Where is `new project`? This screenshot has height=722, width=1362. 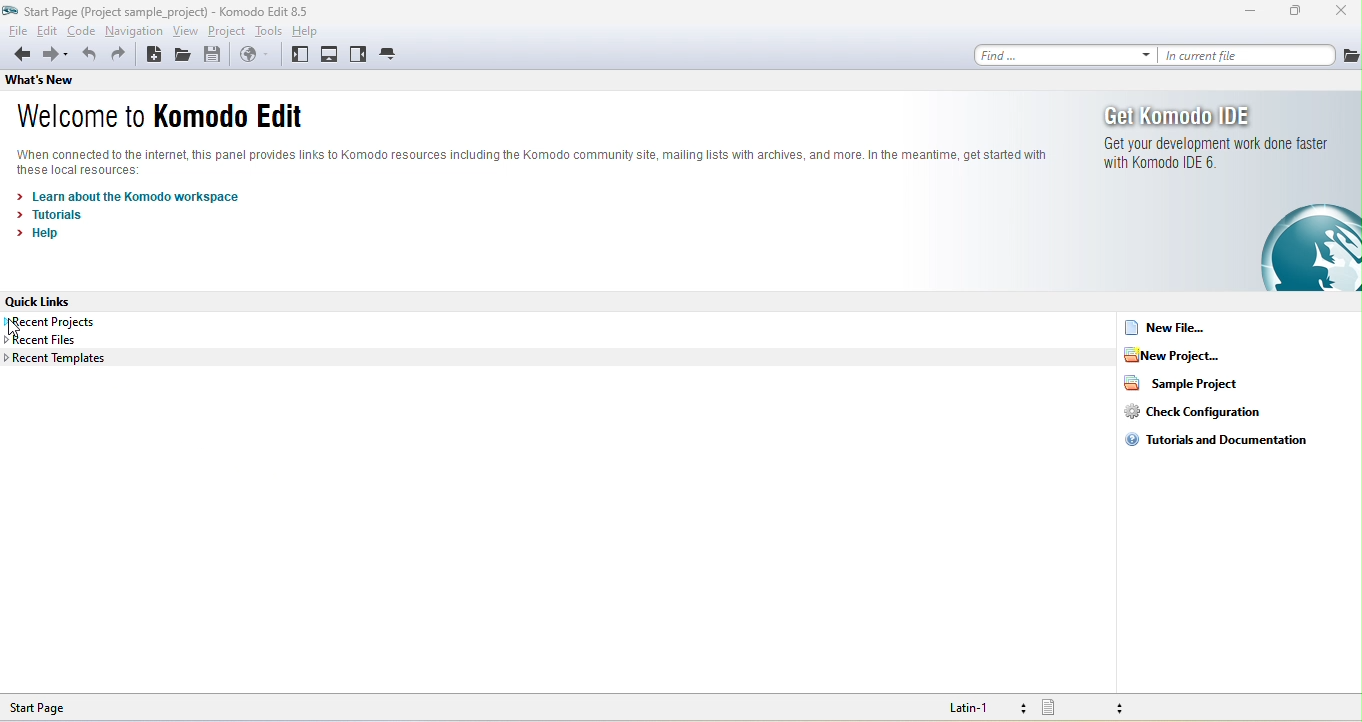
new project is located at coordinates (1190, 360).